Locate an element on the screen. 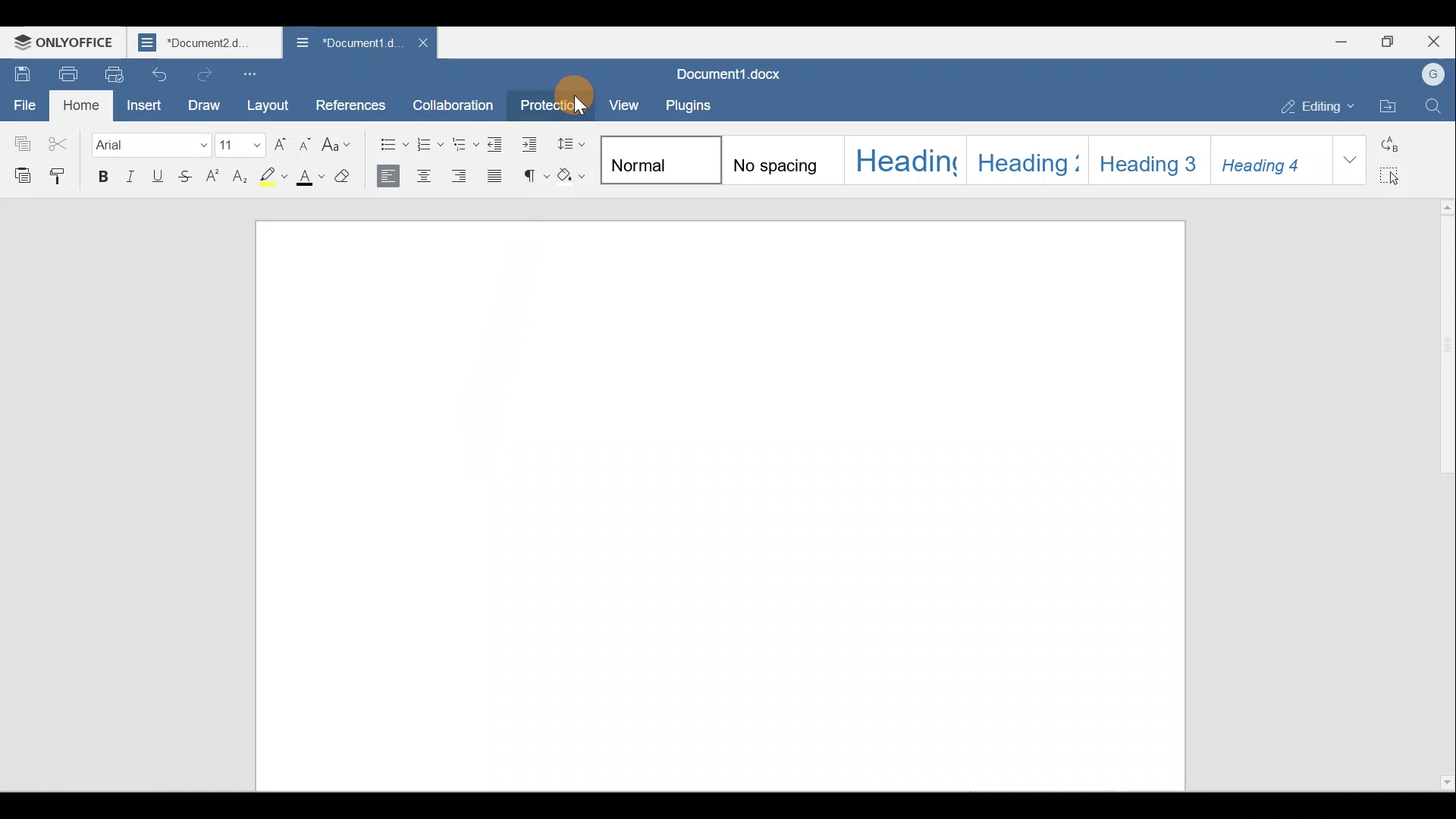 The image size is (1456, 819). ONLYOFFICE is located at coordinates (64, 44).